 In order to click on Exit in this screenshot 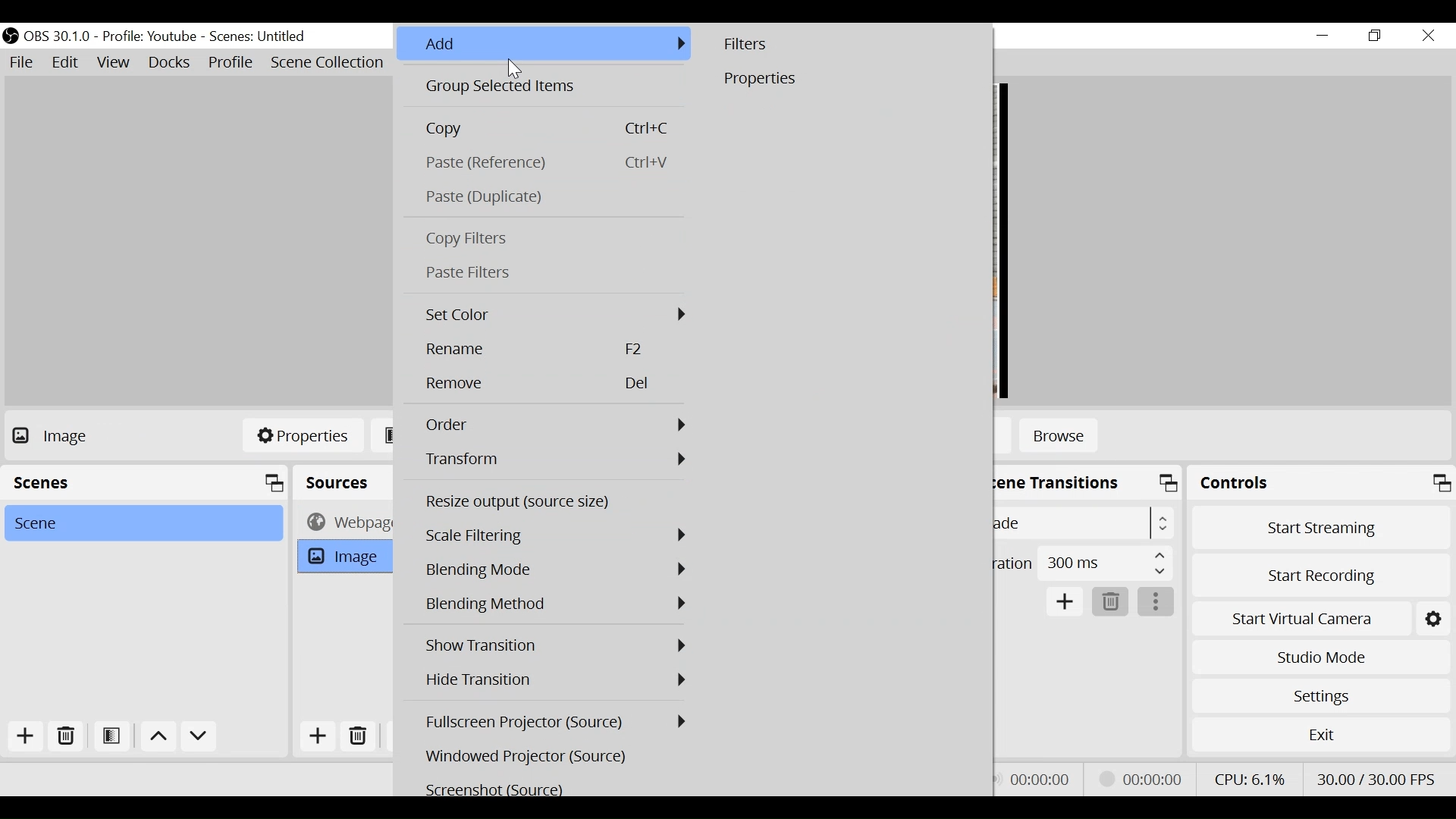, I will do `click(1320, 734)`.